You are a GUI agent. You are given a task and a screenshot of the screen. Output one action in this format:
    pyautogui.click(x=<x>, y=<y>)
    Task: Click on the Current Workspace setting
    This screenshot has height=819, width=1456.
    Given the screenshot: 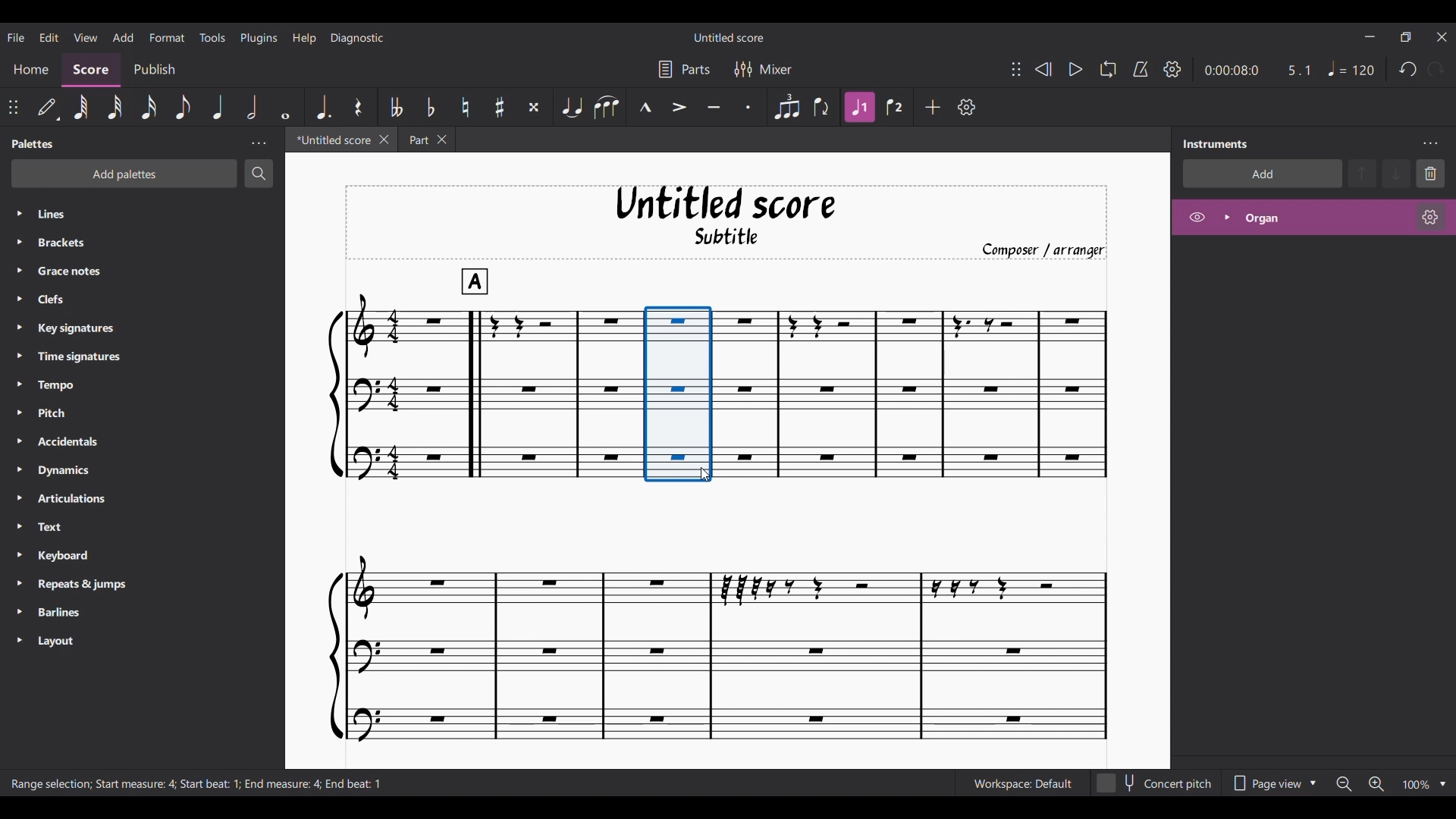 What is the action you would take?
    pyautogui.click(x=1022, y=783)
    